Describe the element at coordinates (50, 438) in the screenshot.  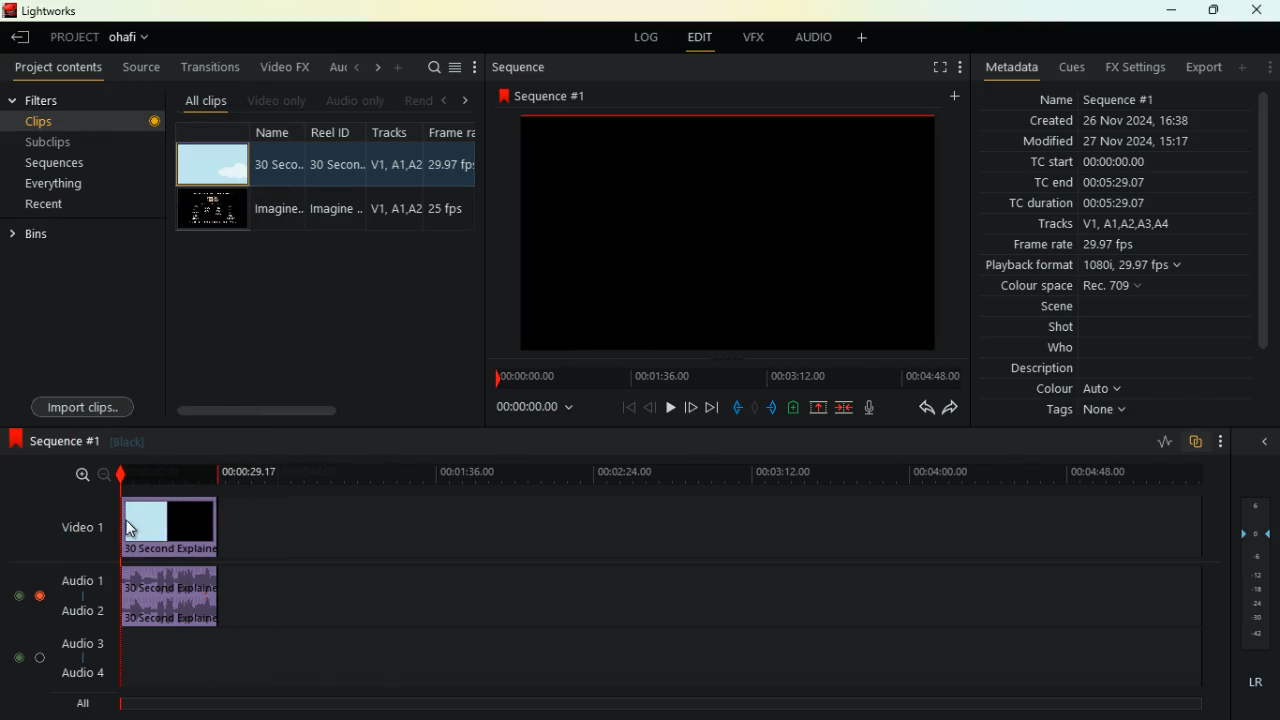
I see `sequence` at that location.